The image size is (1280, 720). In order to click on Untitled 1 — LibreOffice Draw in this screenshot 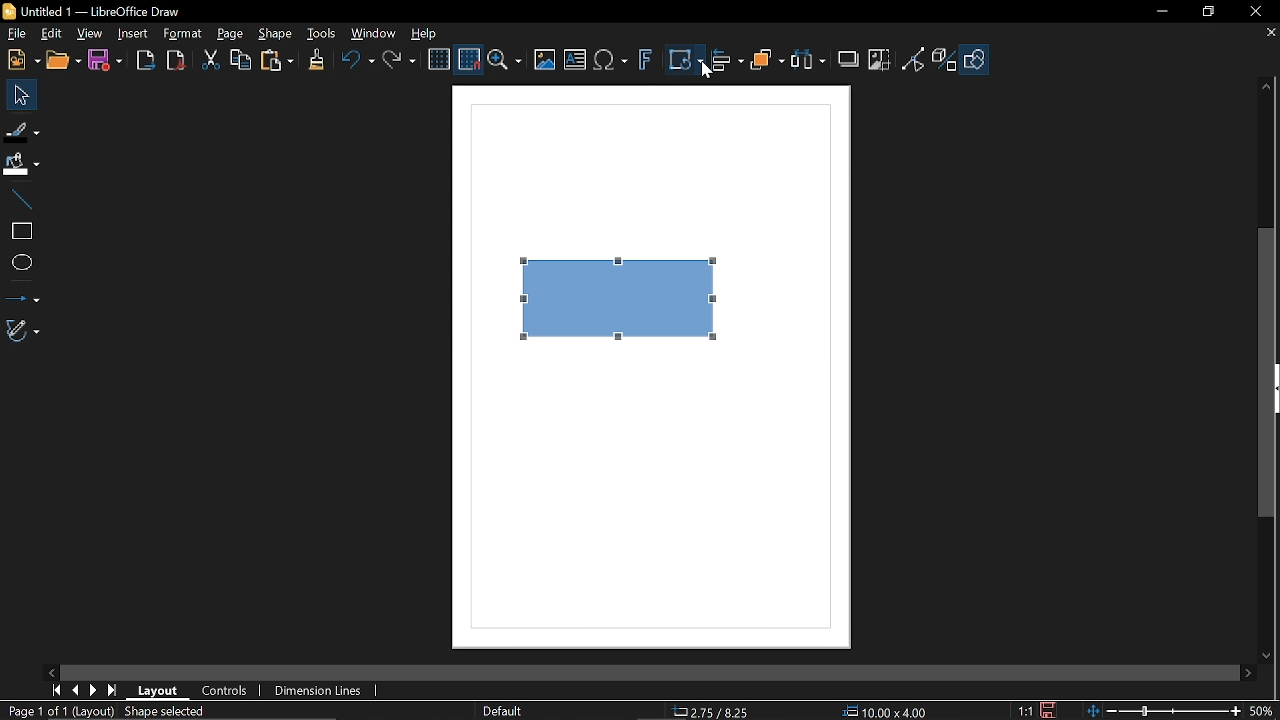, I will do `click(108, 11)`.